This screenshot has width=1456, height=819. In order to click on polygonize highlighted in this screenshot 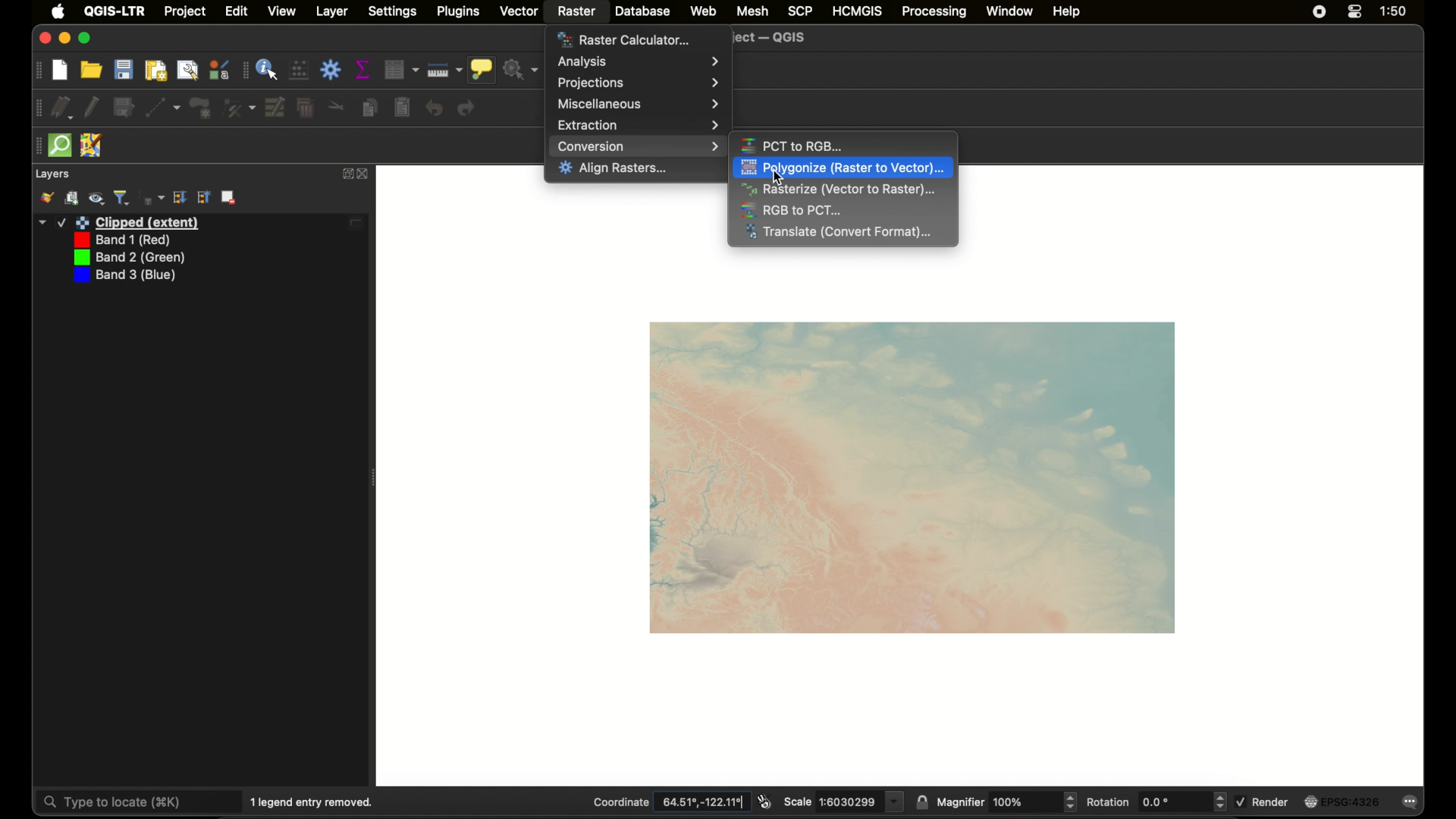, I will do `click(844, 168)`.